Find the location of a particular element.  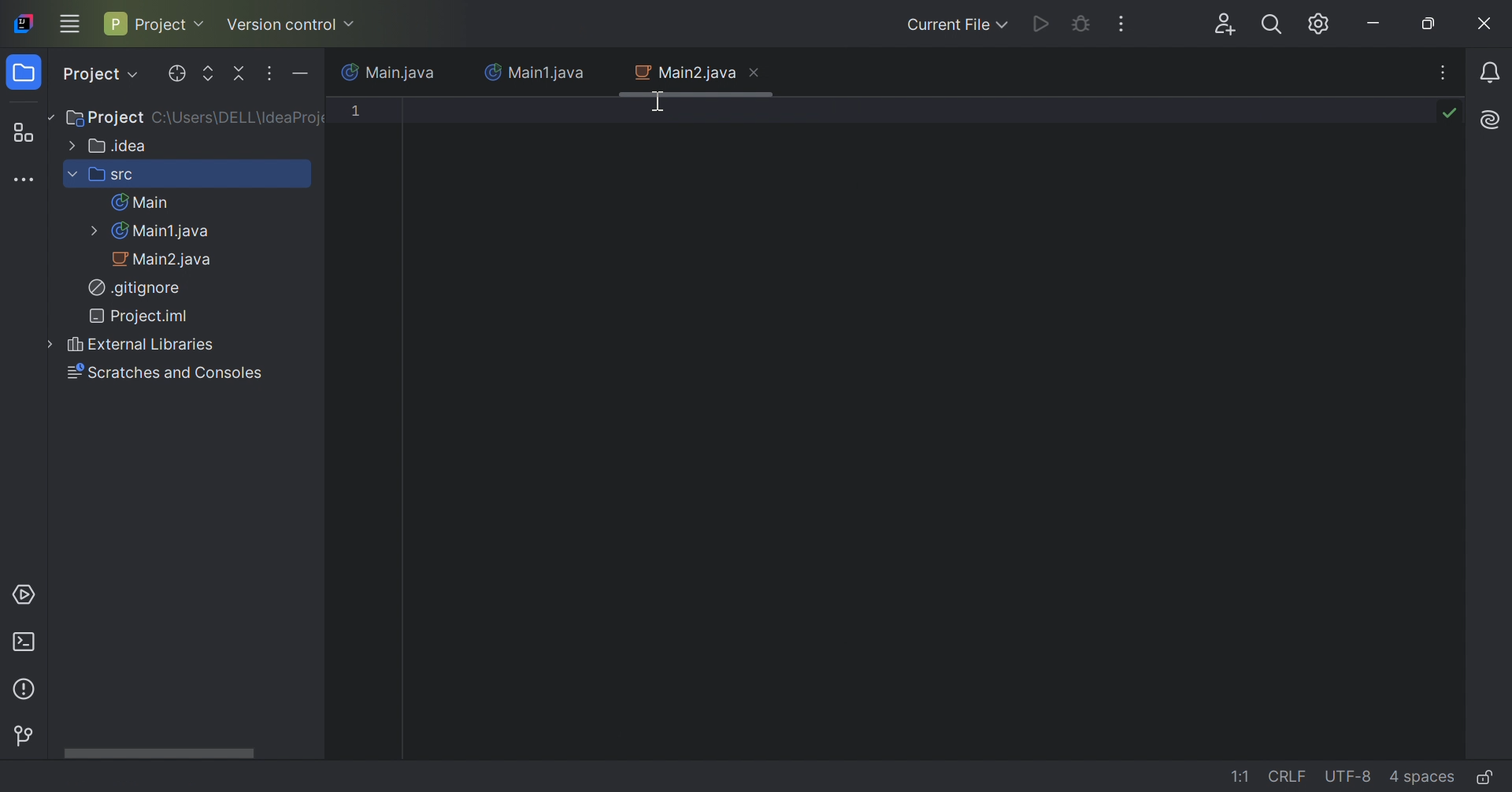

 line 1 is located at coordinates (365, 109).